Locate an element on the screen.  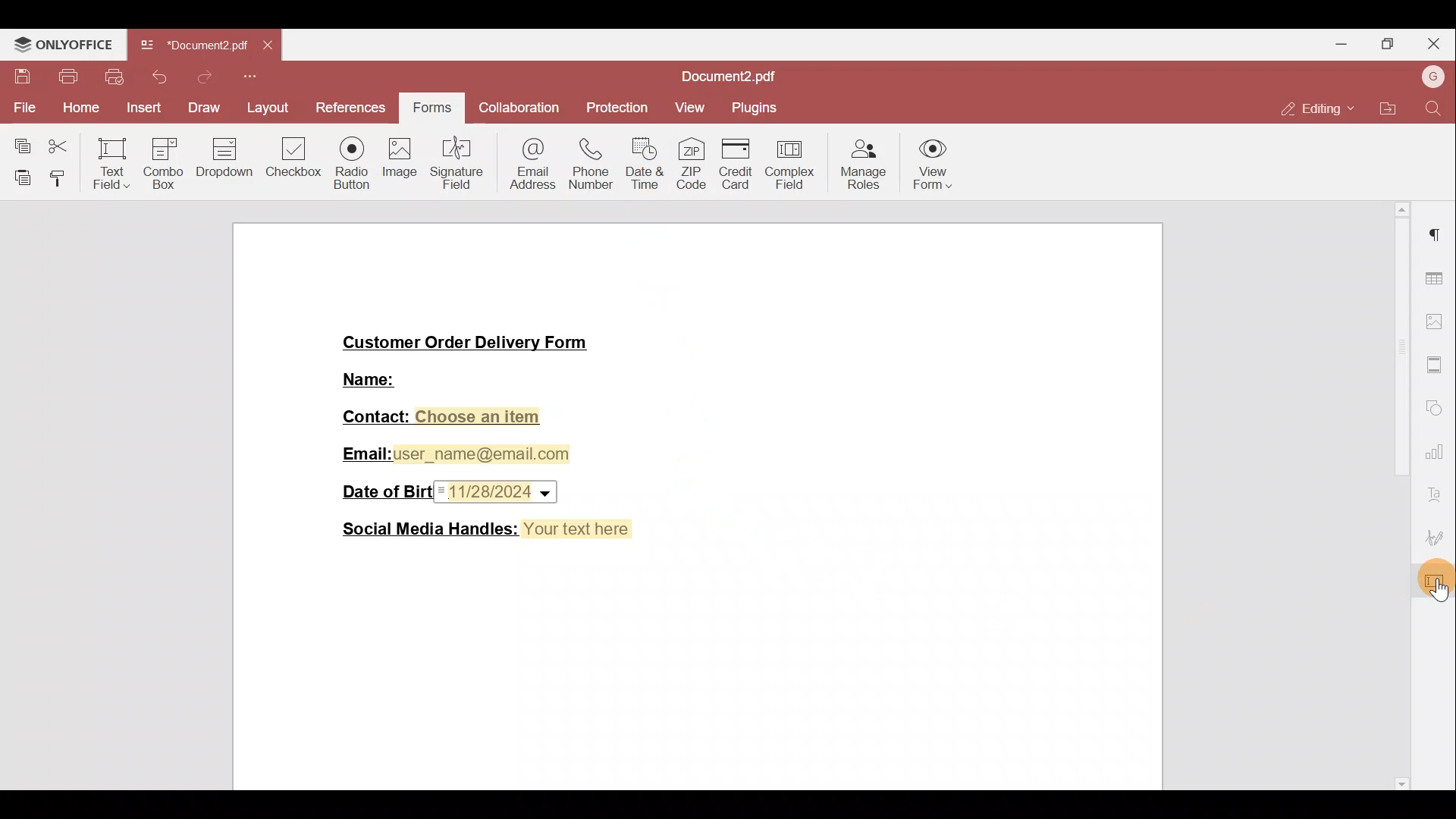
Close tab is located at coordinates (265, 46).